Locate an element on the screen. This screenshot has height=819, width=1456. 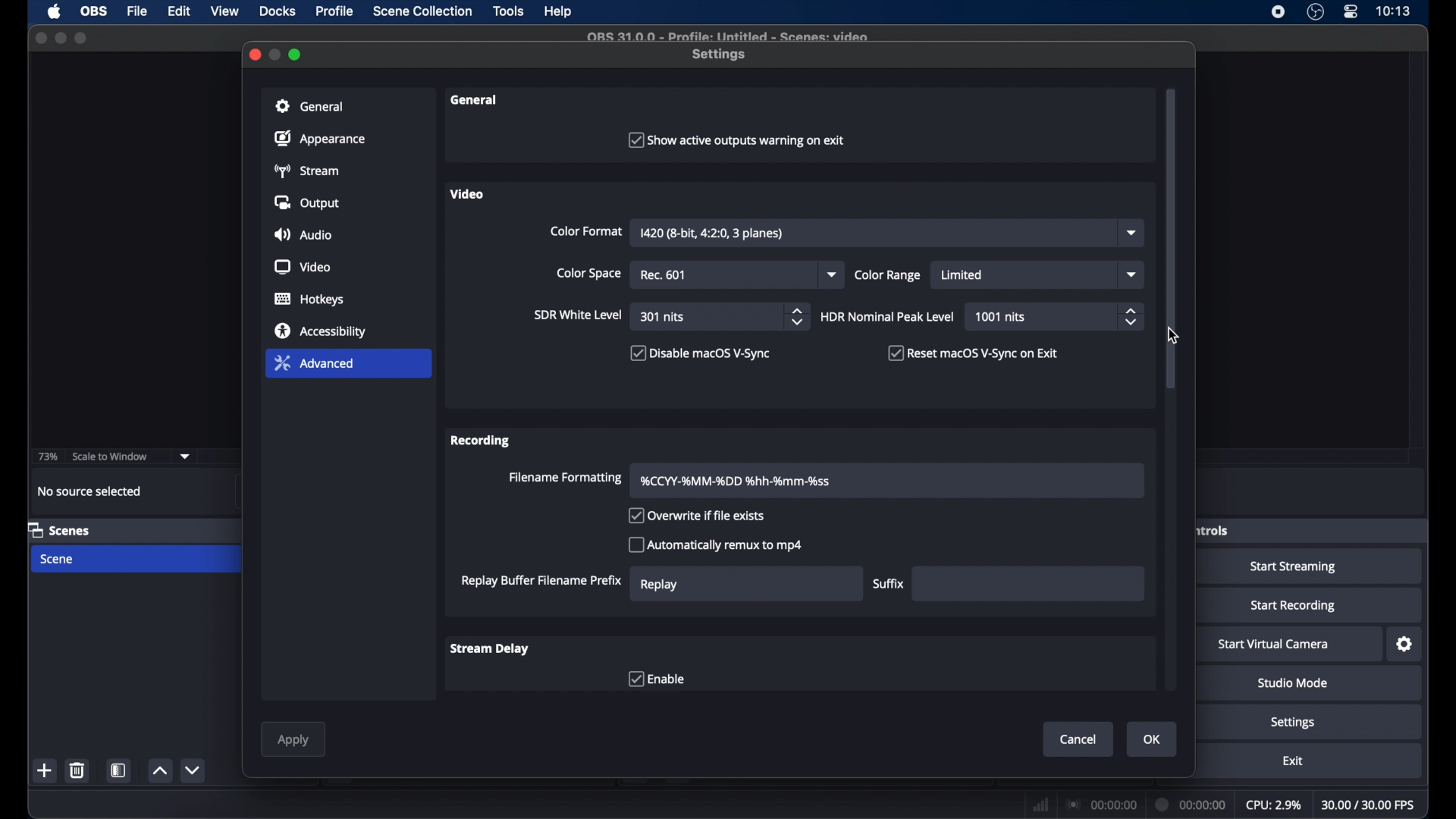
general is located at coordinates (475, 99).